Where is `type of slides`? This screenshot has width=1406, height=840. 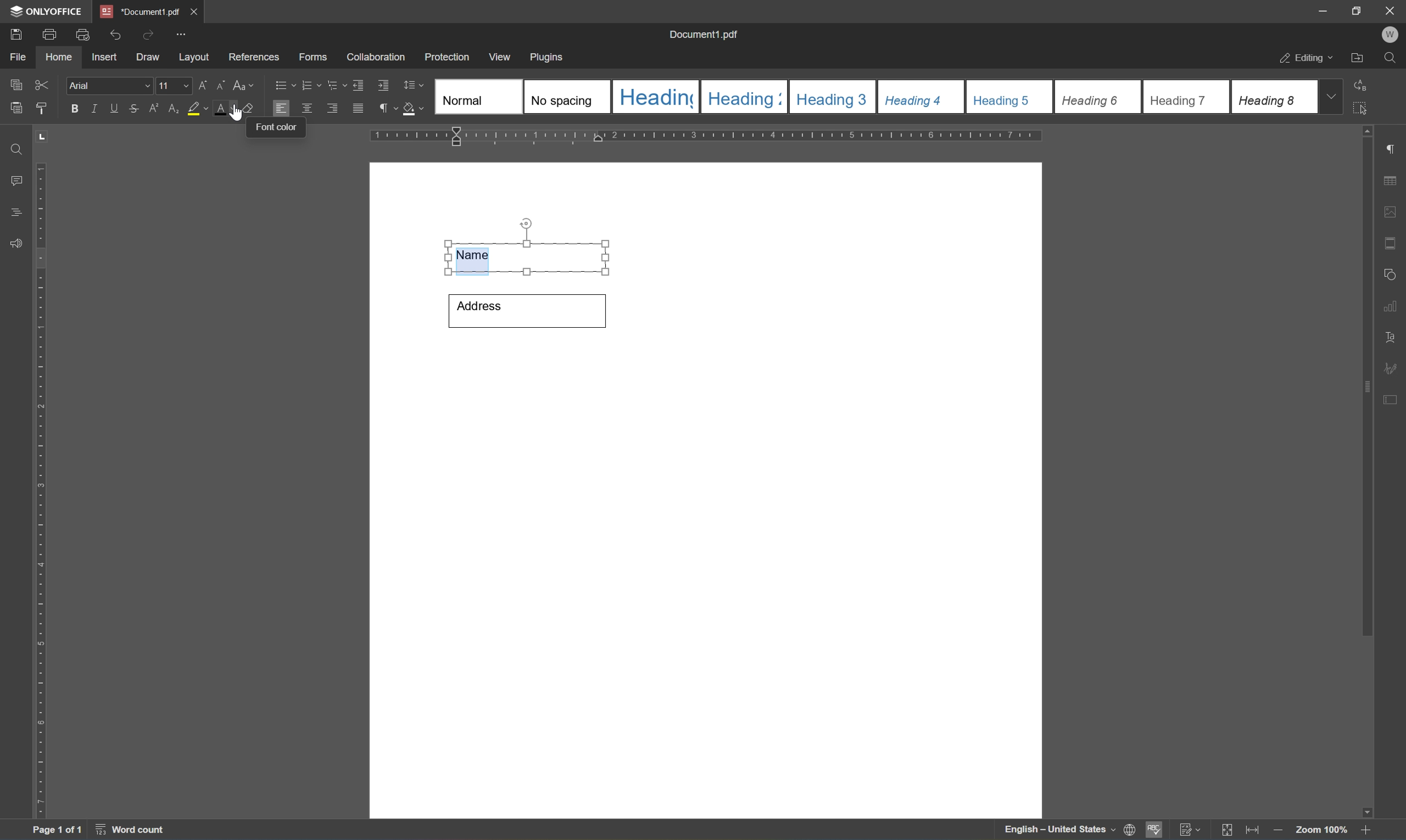
type of slides is located at coordinates (872, 96).